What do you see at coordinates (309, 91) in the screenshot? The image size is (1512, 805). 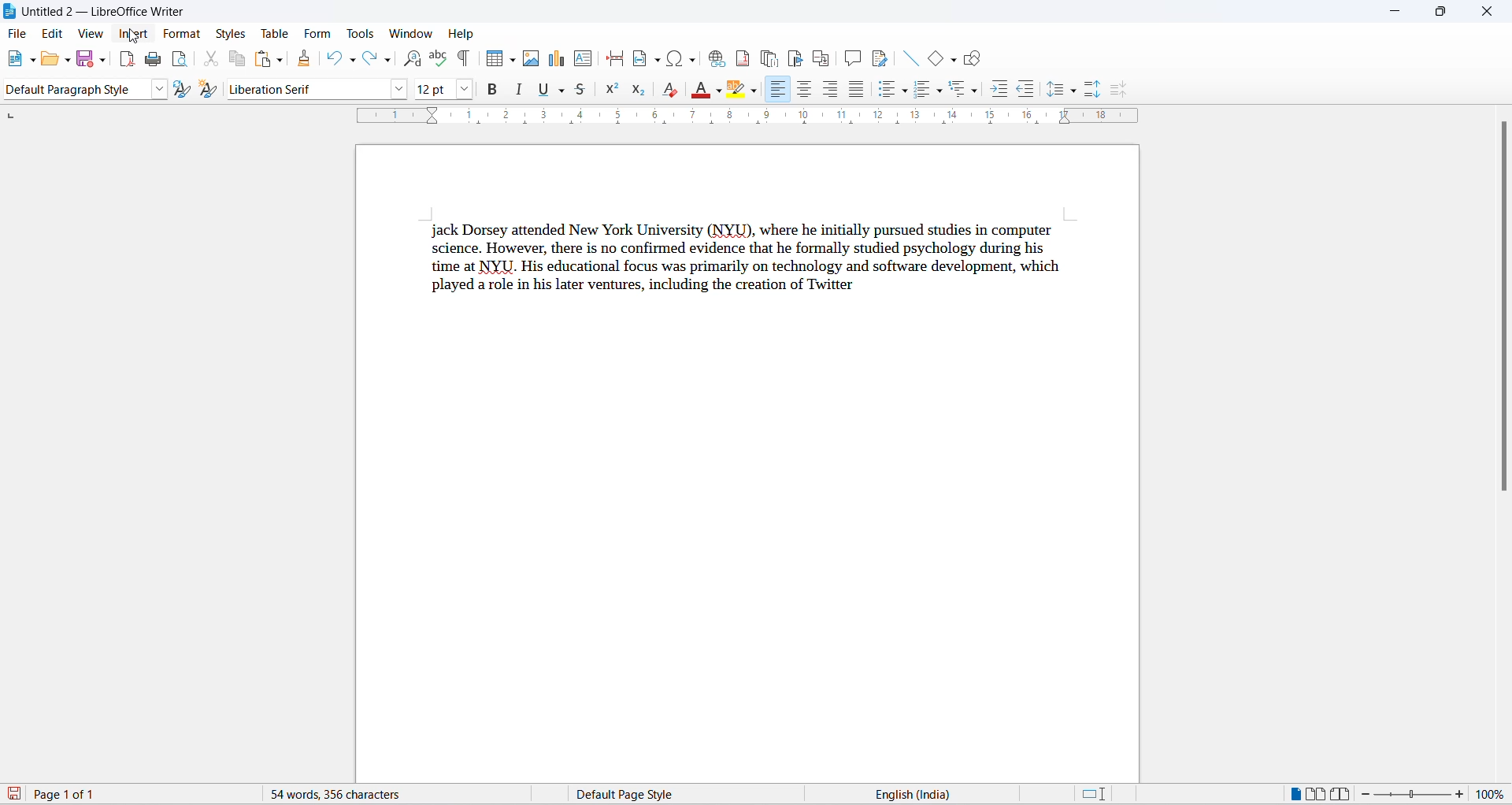 I see `font name` at bounding box center [309, 91].